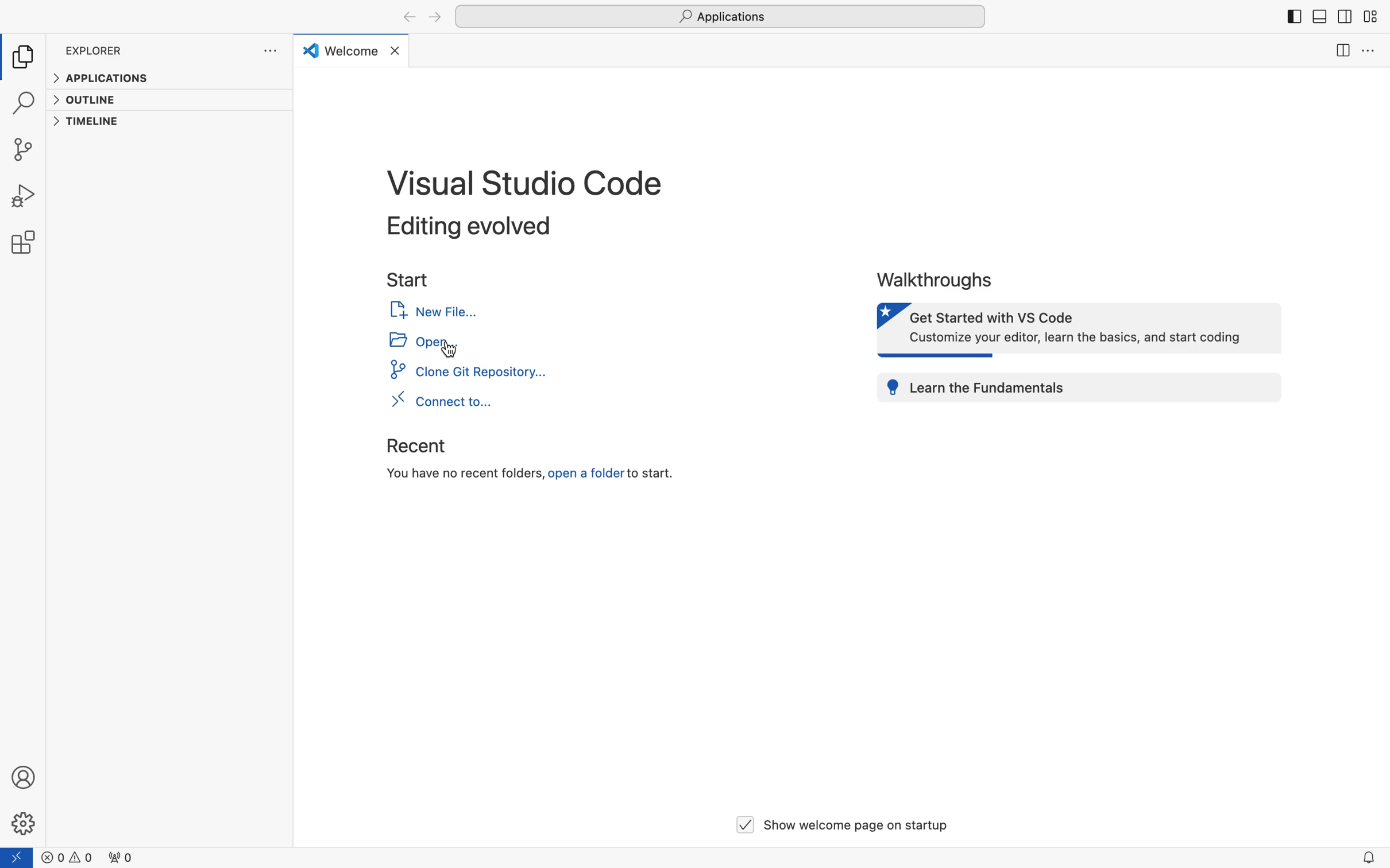 This screenshot has height=868, width=1390. I want to click on explorer, so click(95, 52).